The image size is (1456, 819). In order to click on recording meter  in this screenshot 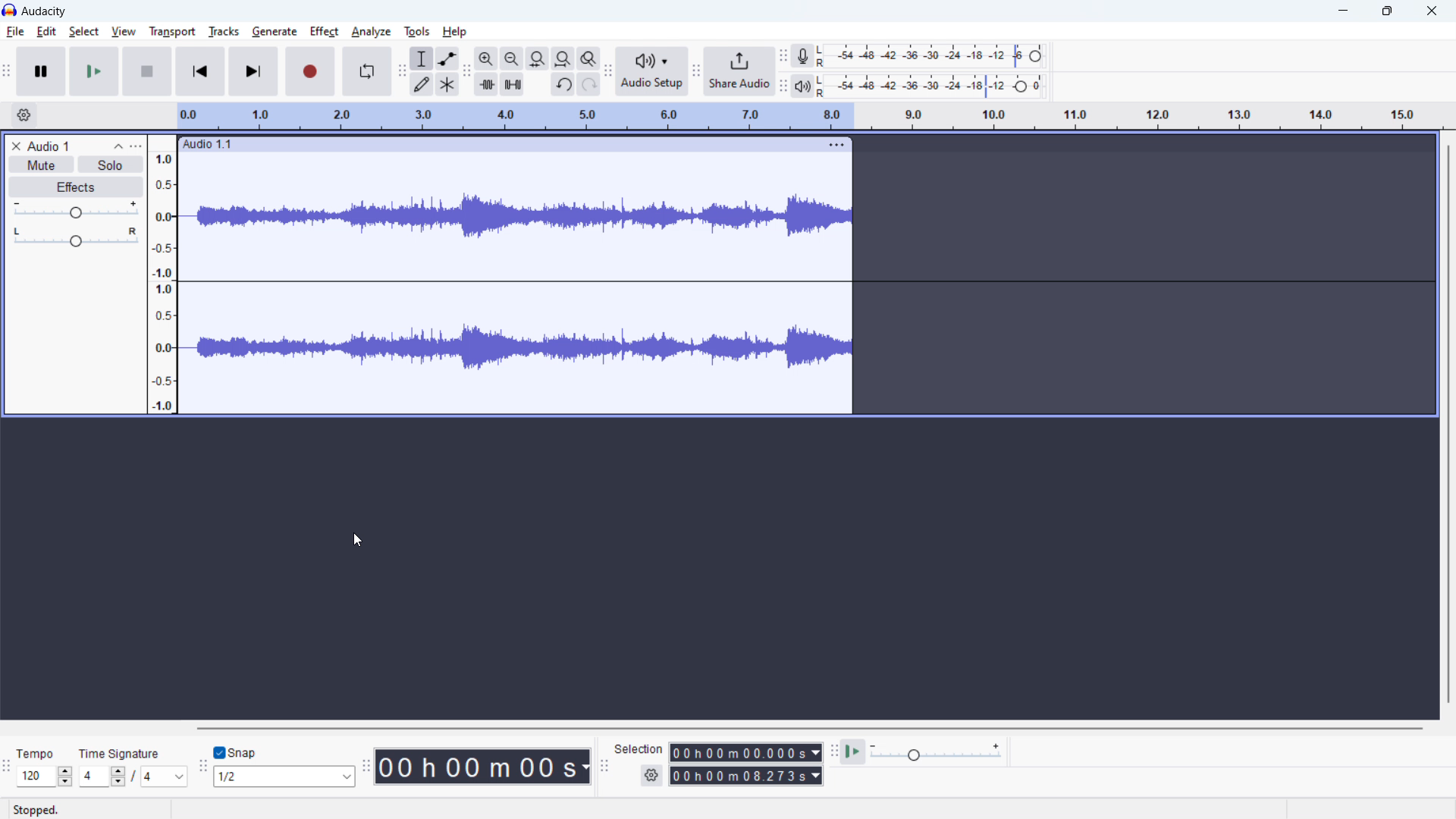, I will do `click(803, 55)`.